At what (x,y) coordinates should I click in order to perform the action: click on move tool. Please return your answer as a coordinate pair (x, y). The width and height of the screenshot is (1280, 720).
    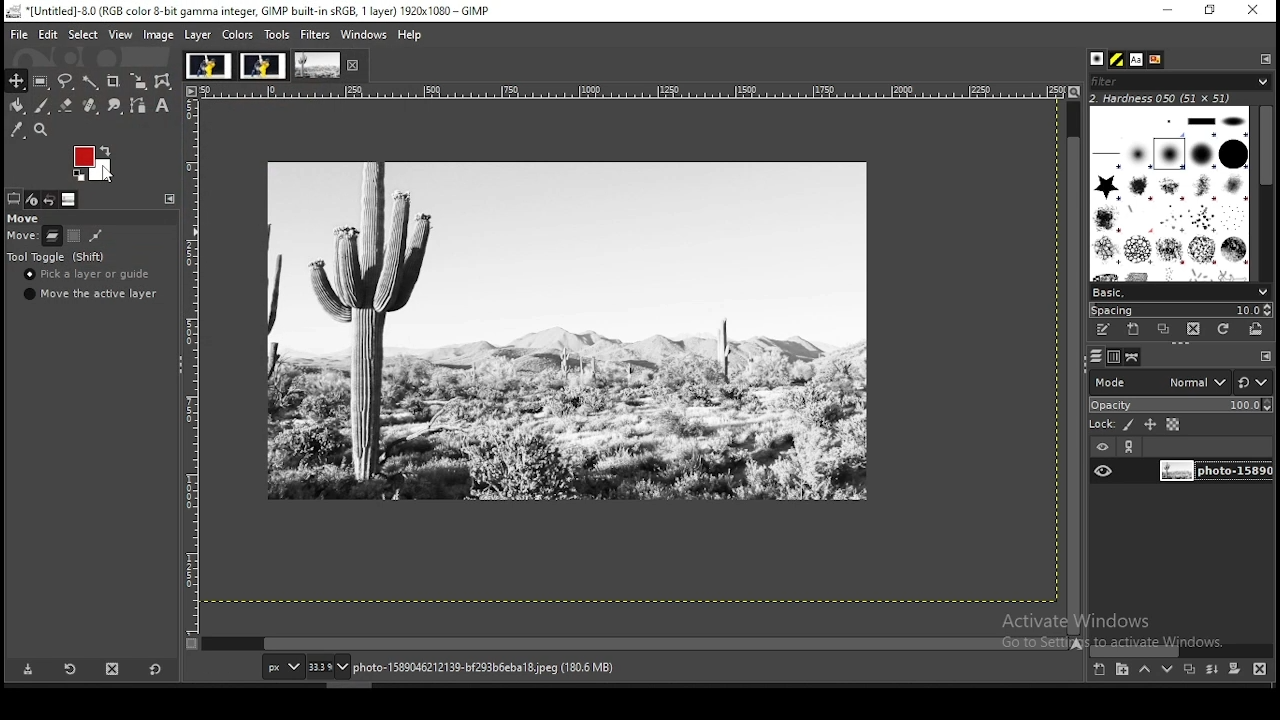
    Looking at the image, I should click on (15, 80).